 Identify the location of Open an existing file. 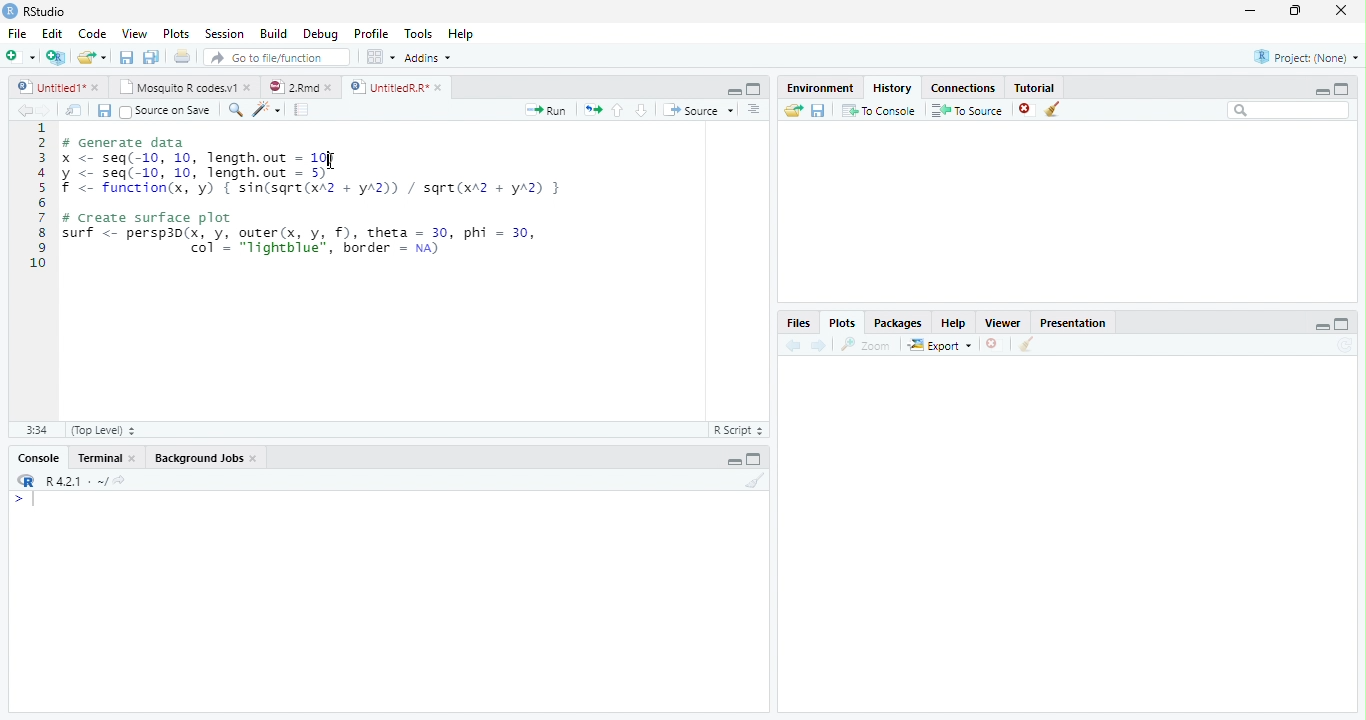
(84, 57).